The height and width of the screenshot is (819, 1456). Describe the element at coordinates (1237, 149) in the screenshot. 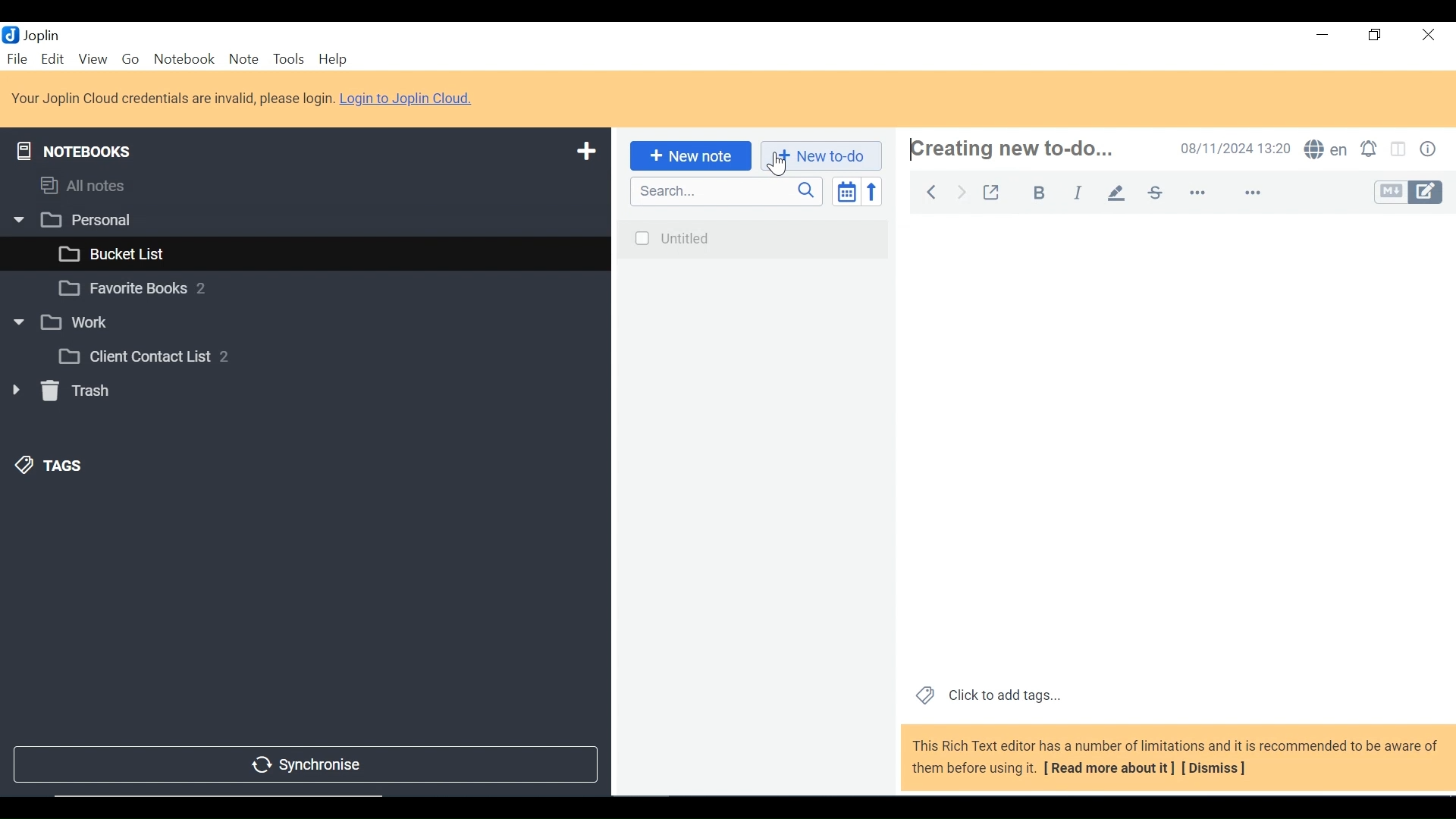

I see `Date and Time` at that location.